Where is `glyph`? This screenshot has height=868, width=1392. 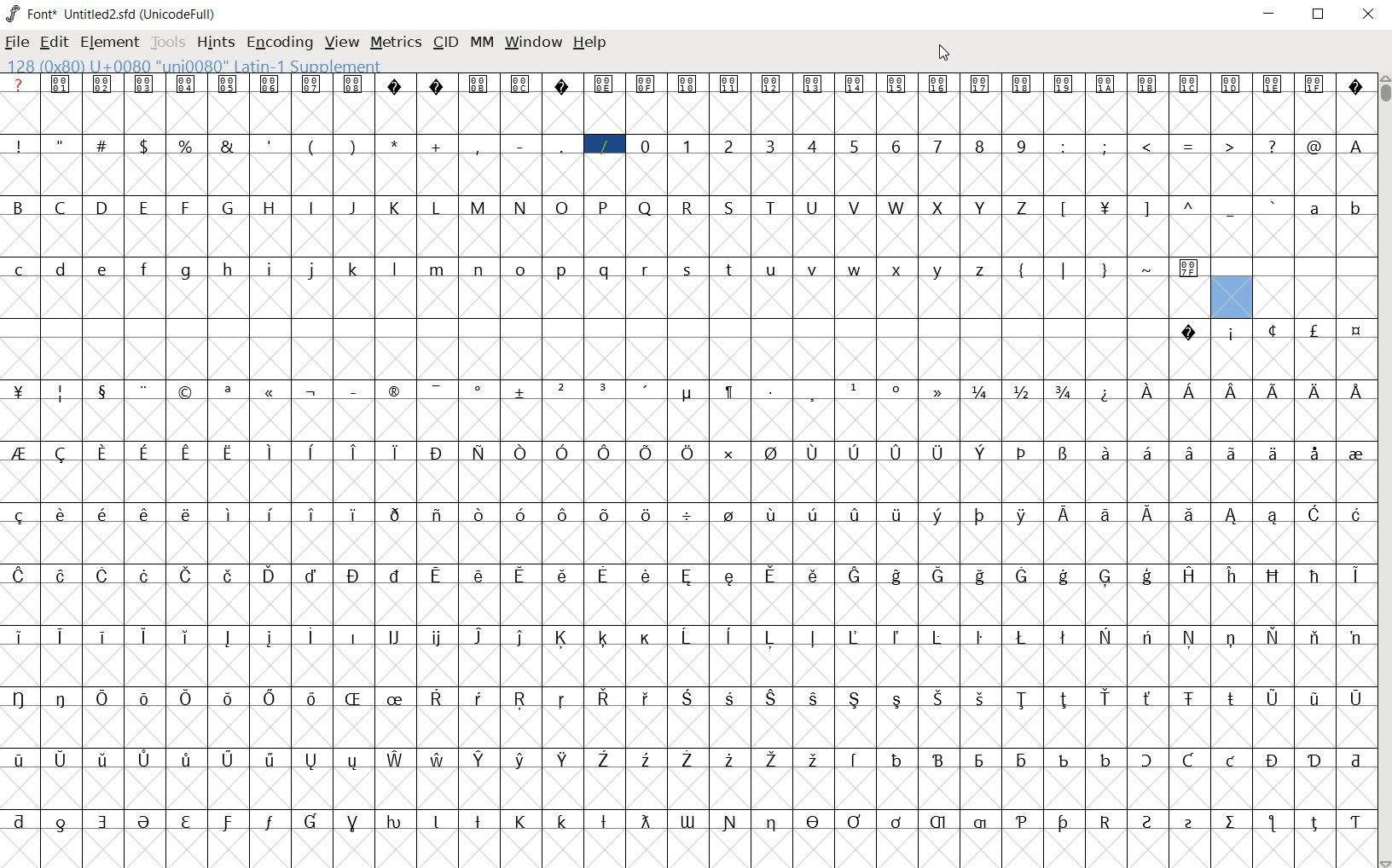 glyph is located at coordinates (1355, 761).